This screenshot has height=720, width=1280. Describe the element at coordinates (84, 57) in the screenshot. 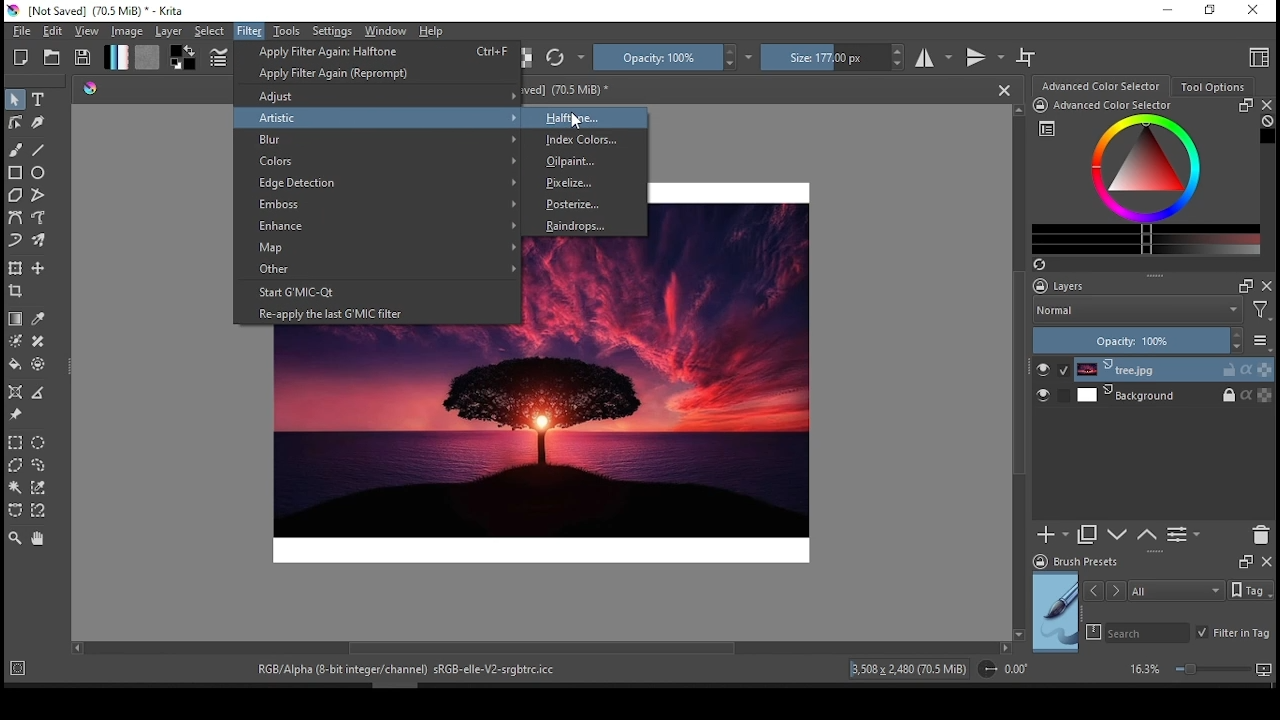

I see `save` at that location.